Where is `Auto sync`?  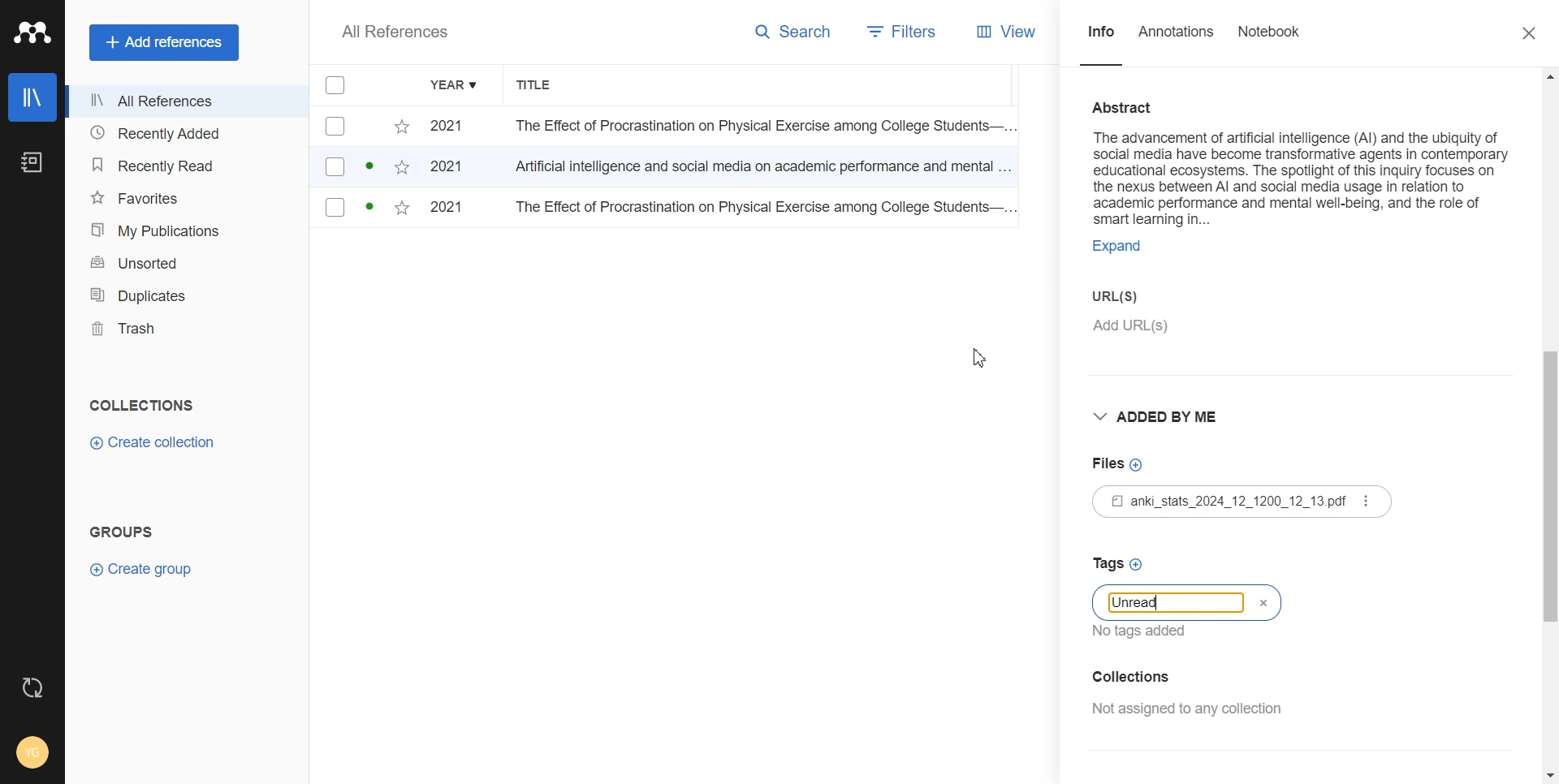
Auto sync is located at coordinates (32, 687).